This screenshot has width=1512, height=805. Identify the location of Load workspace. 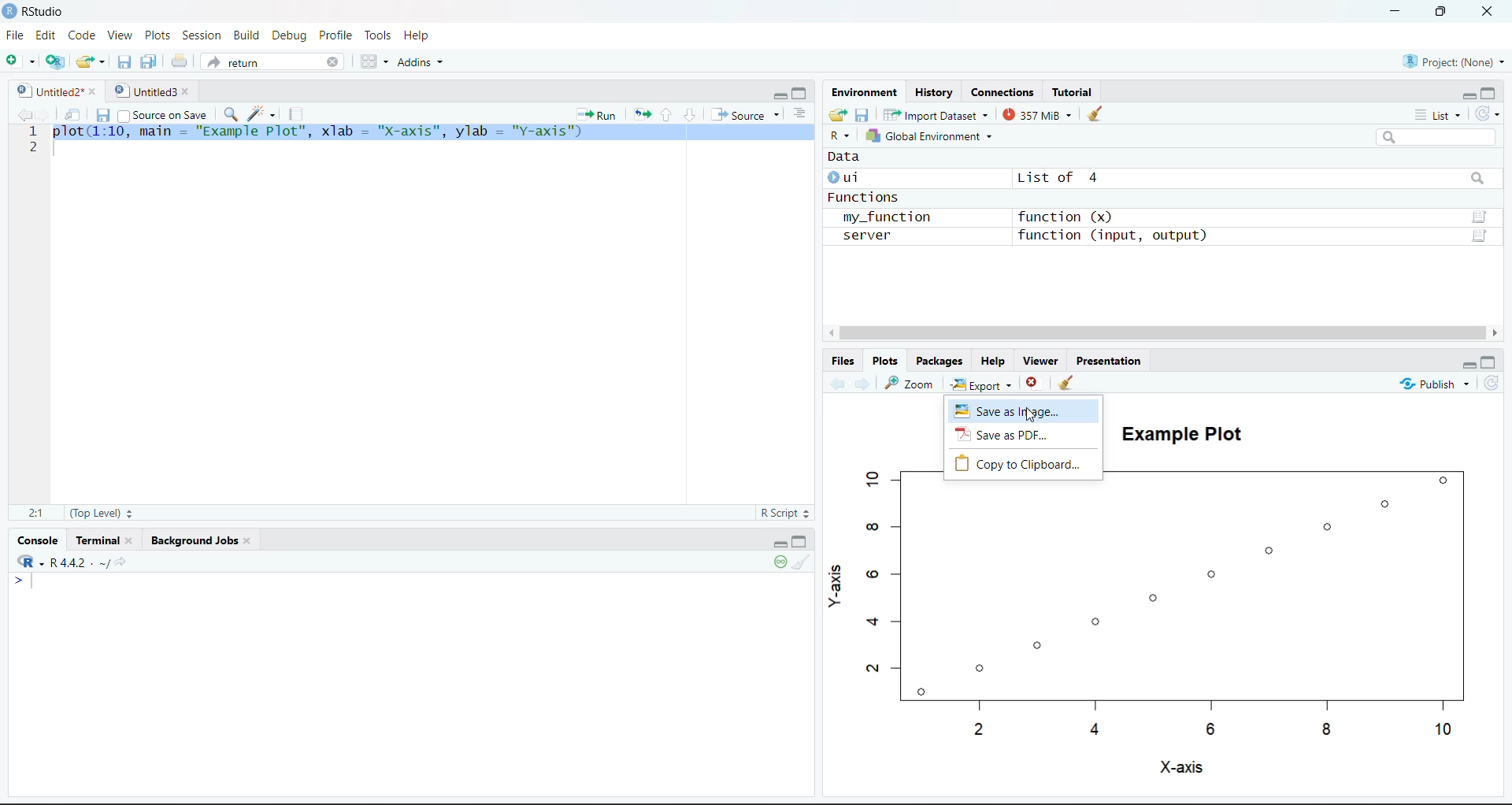
(838, 114).